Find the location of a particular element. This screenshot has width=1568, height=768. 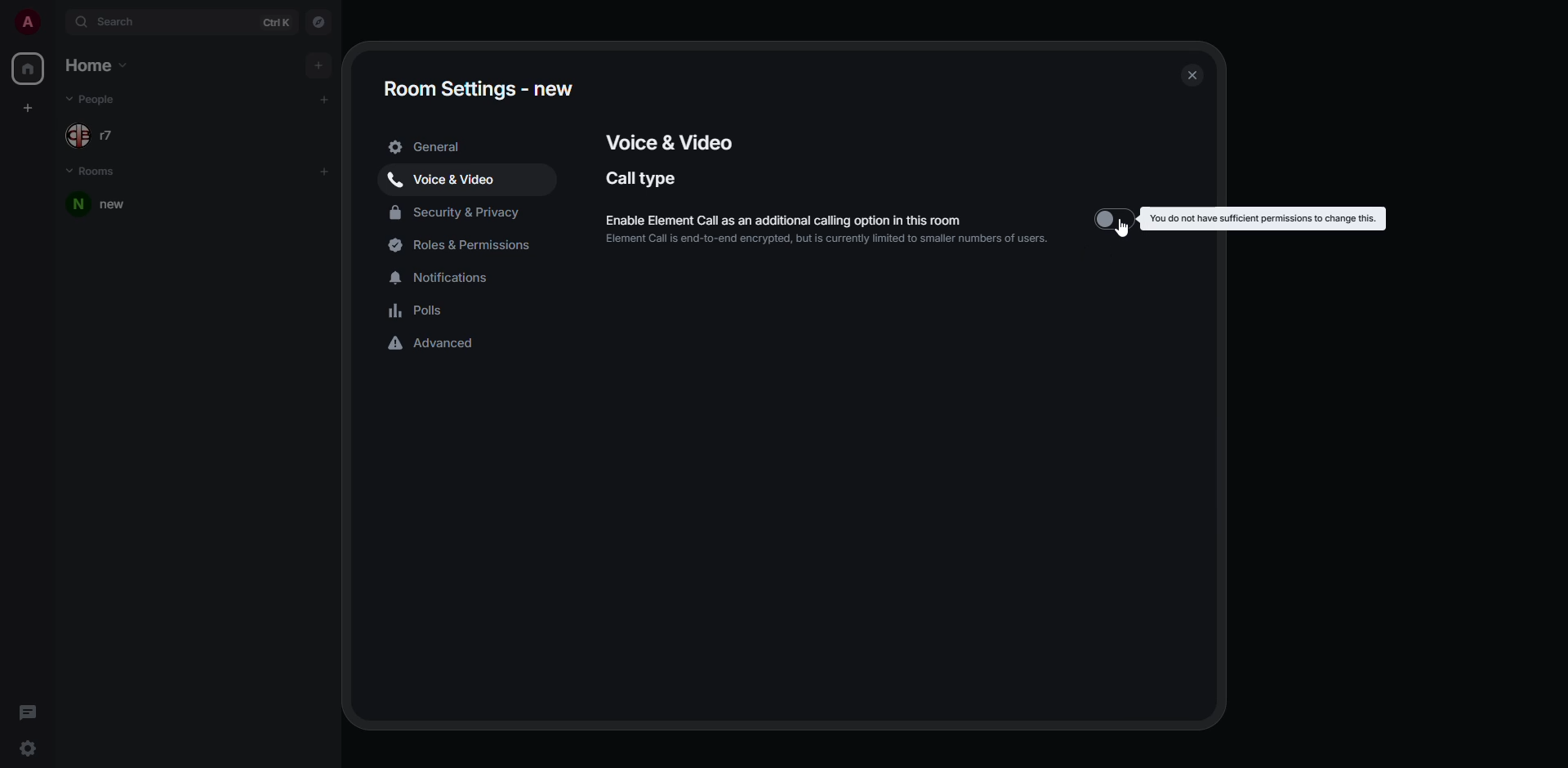

roles & permissions is located at coordinates (467, 245).